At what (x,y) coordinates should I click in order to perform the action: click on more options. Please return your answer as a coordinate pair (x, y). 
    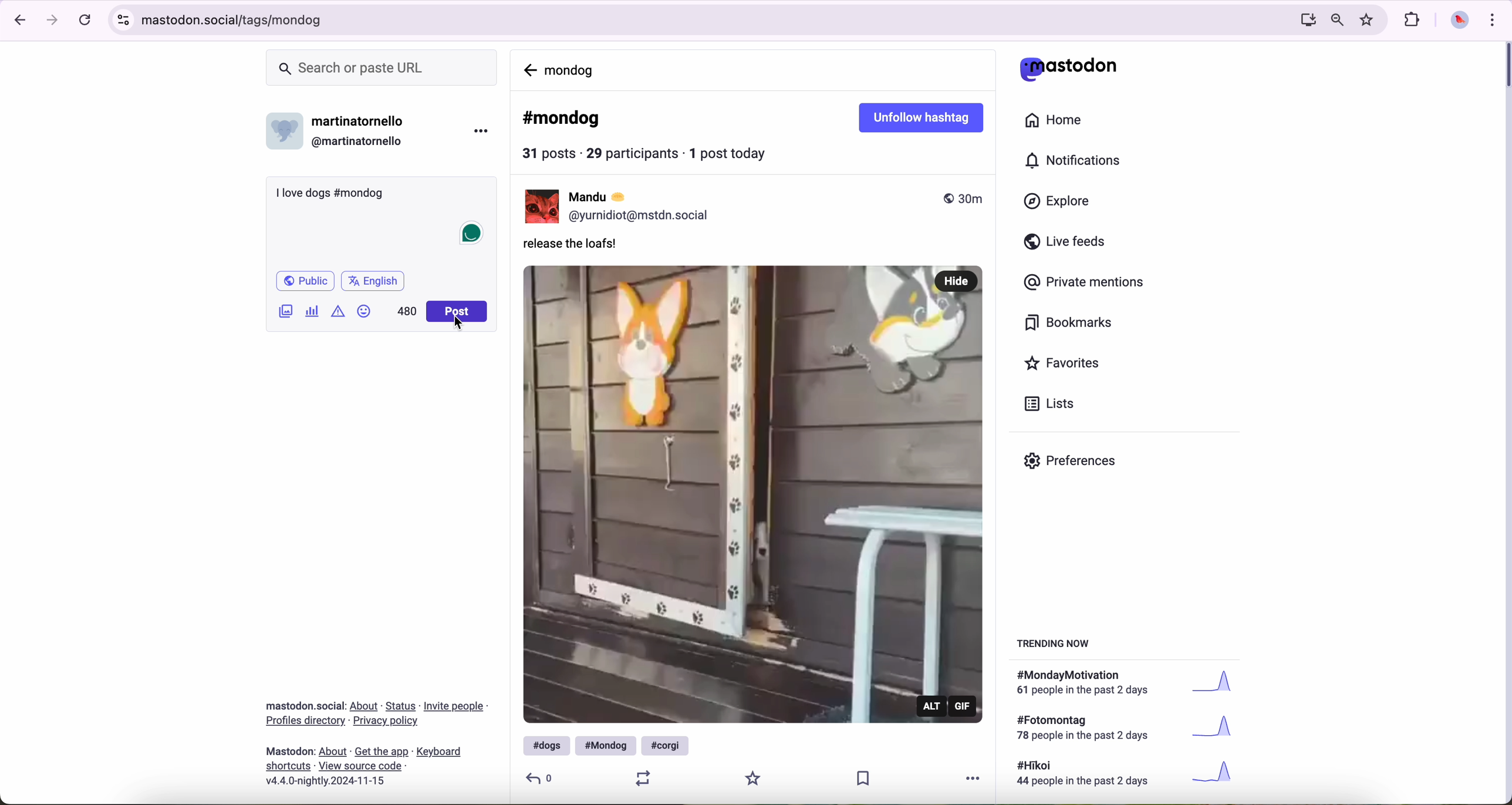
    Looking at the image, I should click on (978, 777).